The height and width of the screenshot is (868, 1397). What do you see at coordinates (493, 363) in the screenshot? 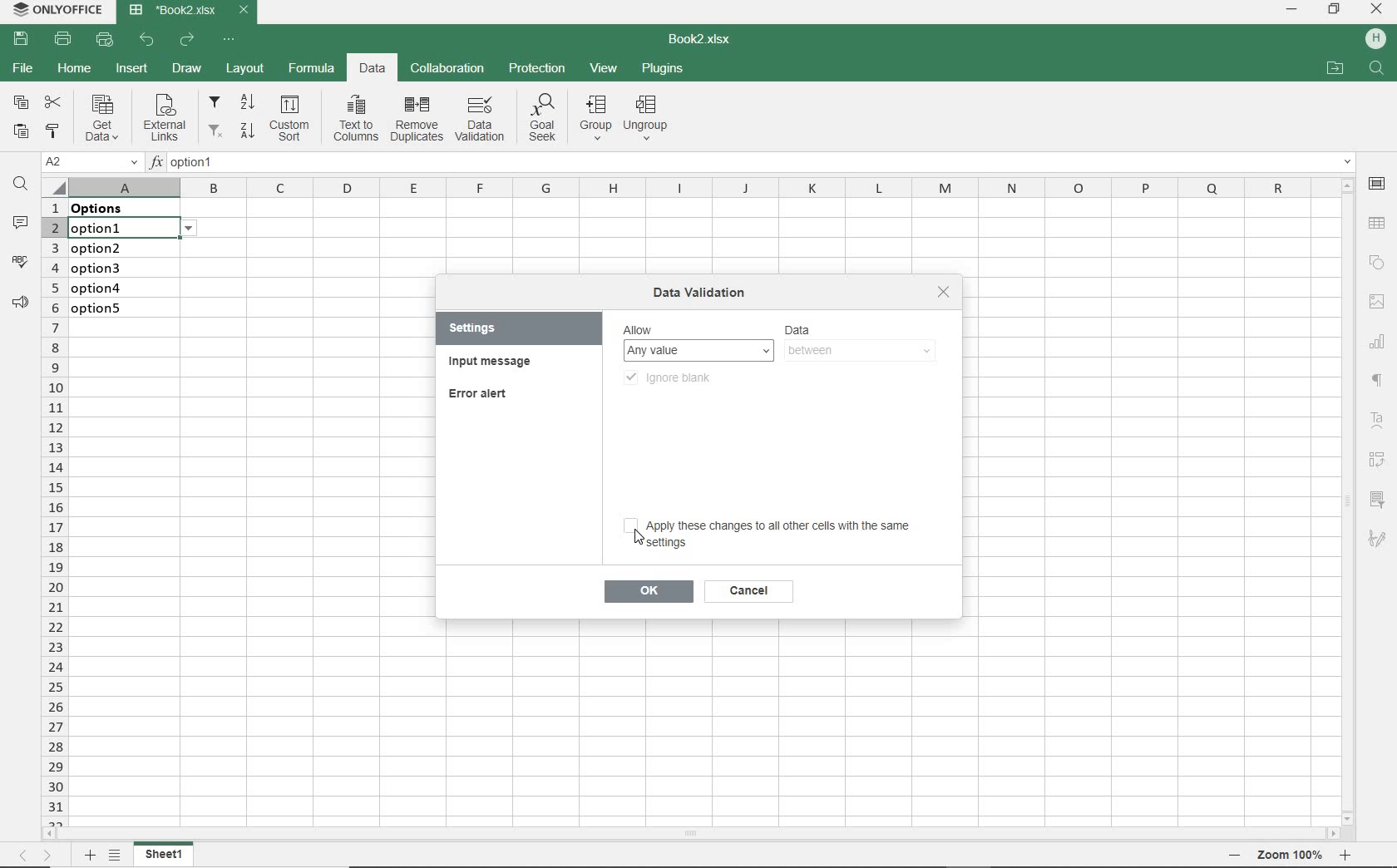
I see `INPUT MESSAGE` at bounding box center [493, 363].